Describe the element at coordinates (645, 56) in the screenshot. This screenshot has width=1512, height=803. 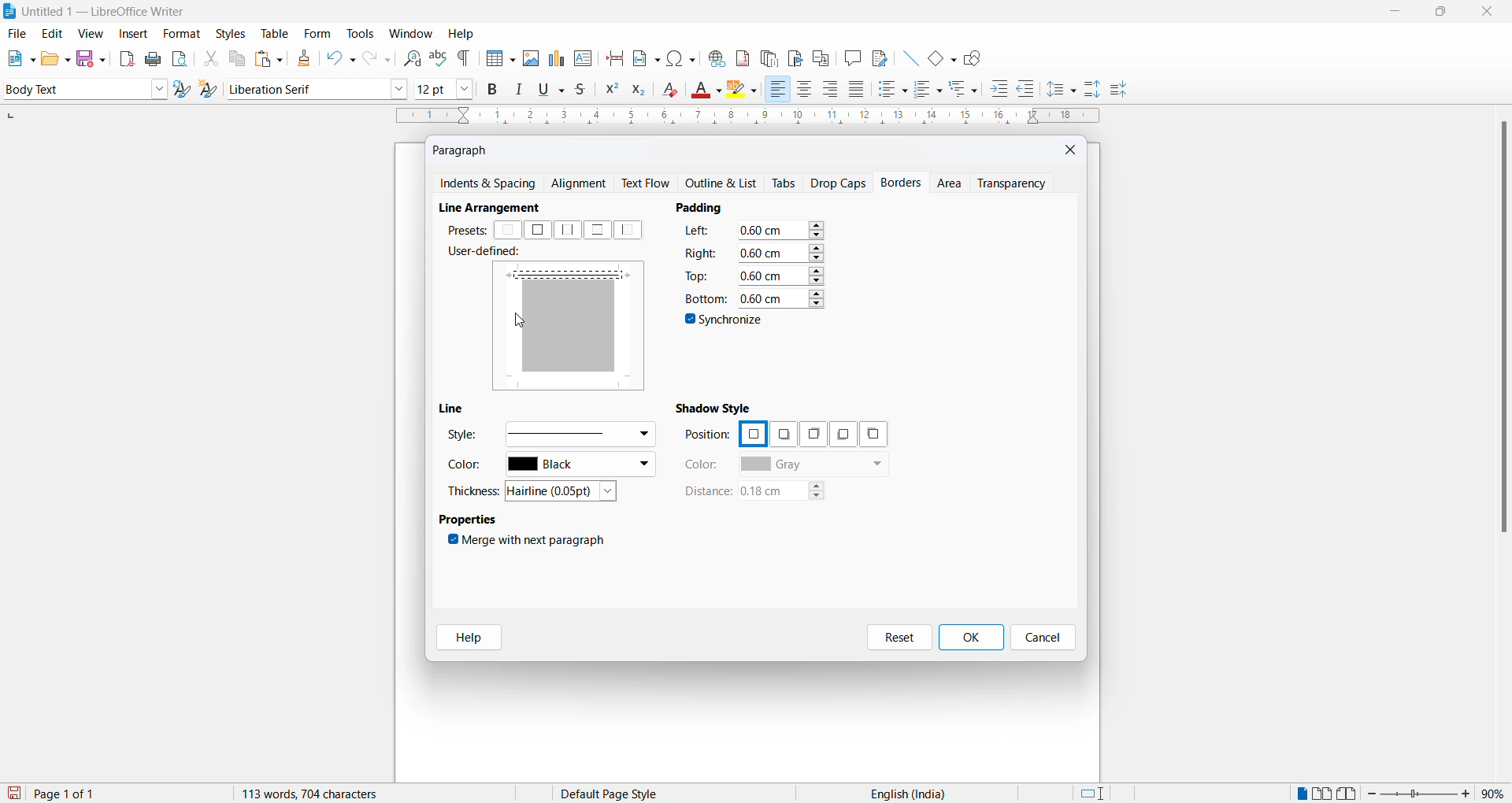
I see `insert field` at that location.